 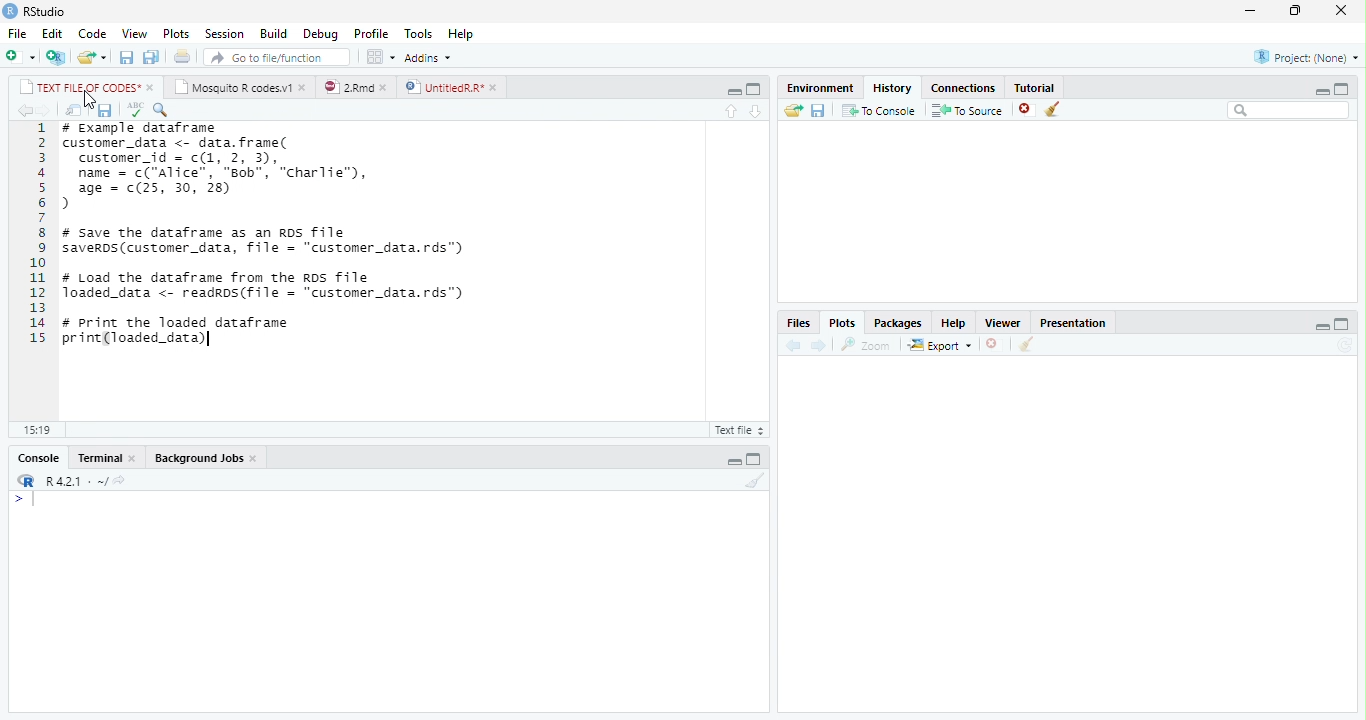 I want to click on Addins, so click(x=428, y=58).